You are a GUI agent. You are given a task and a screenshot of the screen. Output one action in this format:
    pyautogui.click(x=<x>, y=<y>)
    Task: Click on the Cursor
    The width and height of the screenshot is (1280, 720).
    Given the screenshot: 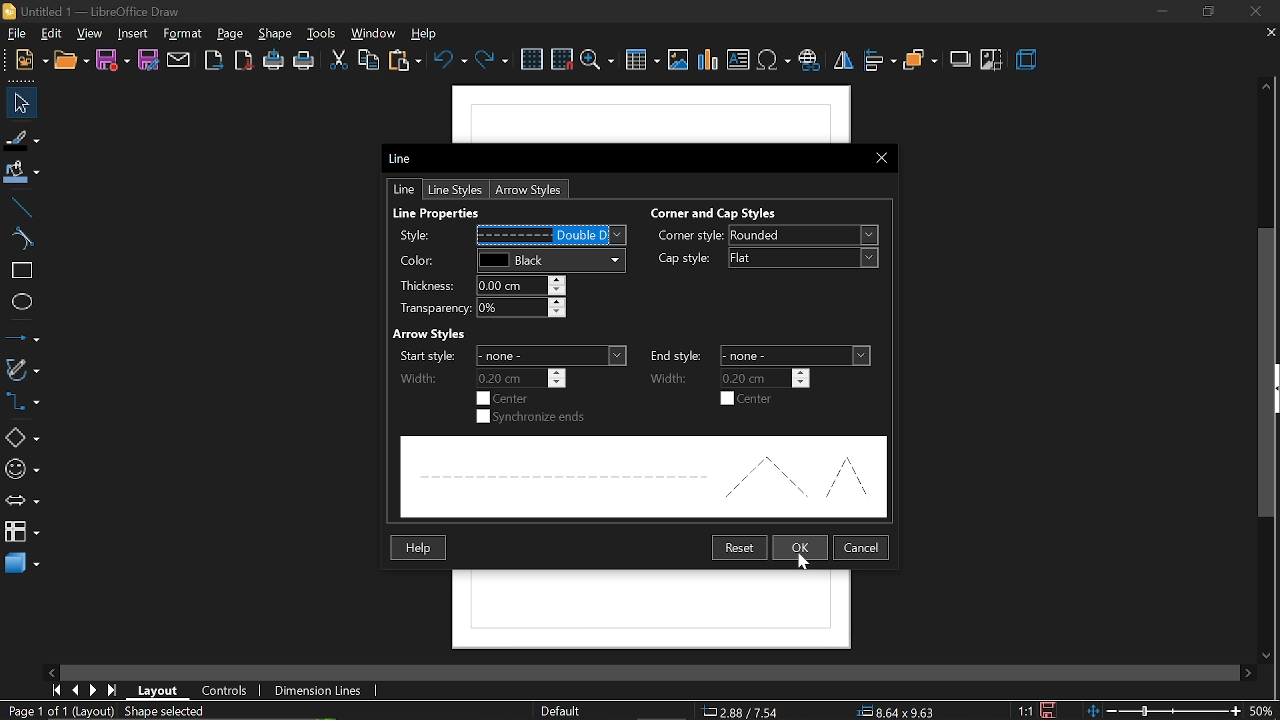 What is the action you would take?
    pyautogui.click(x=802, y=564)
    